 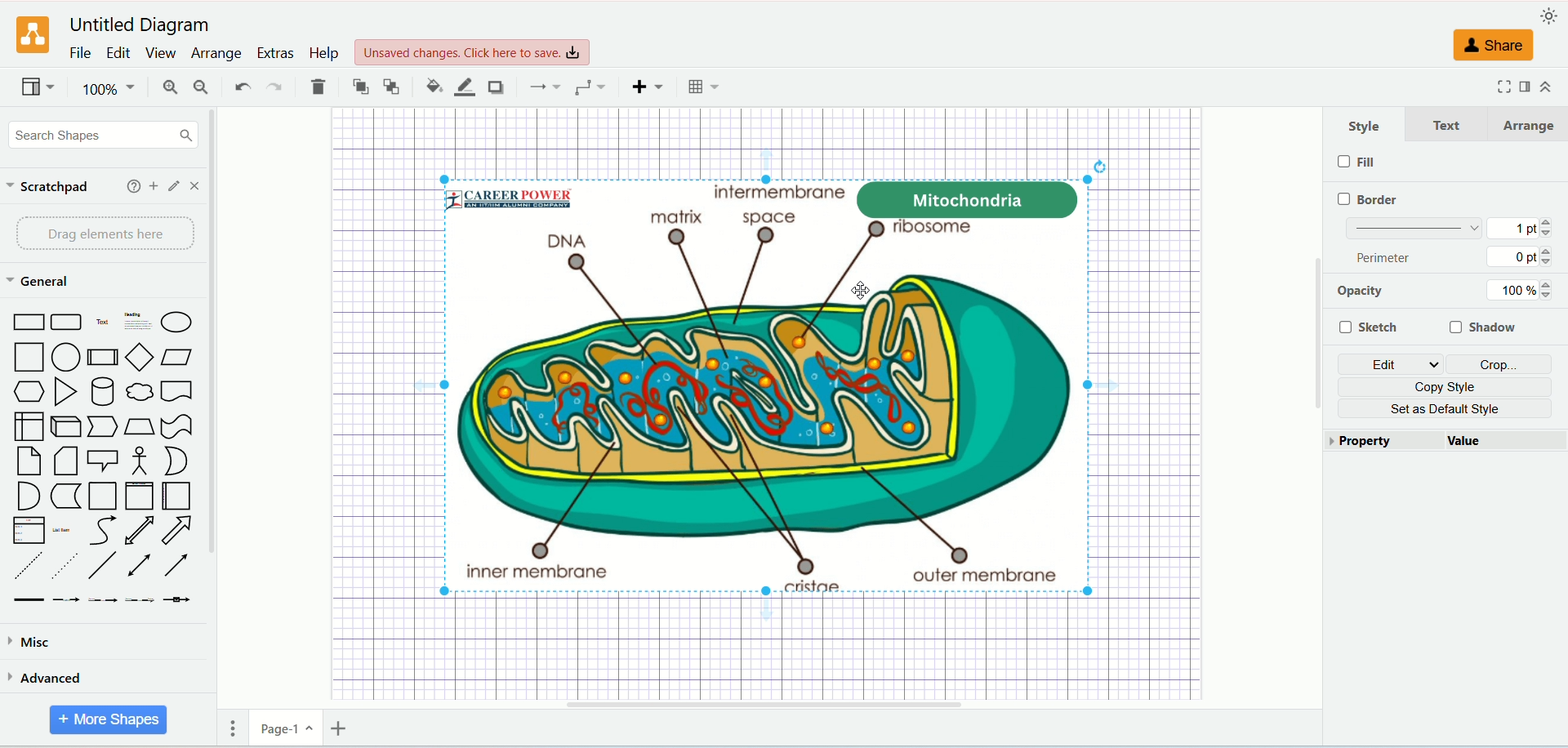 What do you see at coordinates (50, 189) in the screenshot?
I see `scratchpad` at bounding box center [50, 189].